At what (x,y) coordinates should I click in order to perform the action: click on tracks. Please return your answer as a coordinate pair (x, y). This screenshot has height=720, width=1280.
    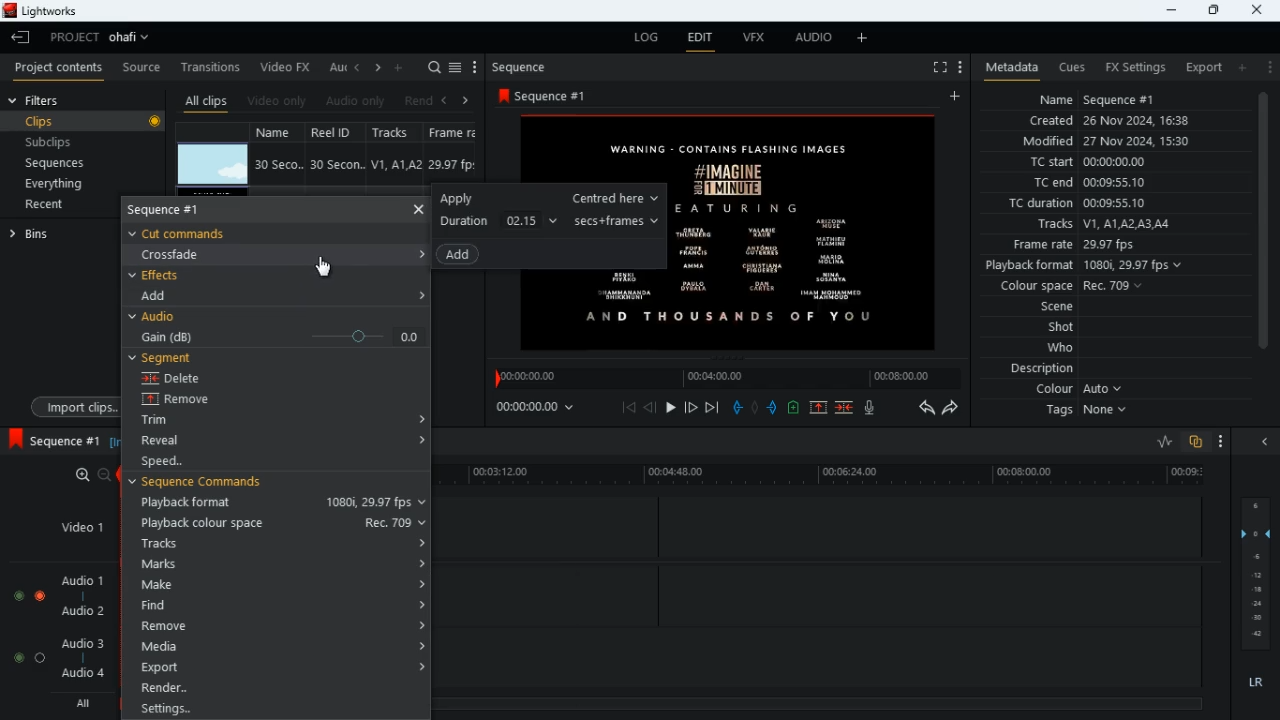
    Looking at the image, I should click on (398, 133).